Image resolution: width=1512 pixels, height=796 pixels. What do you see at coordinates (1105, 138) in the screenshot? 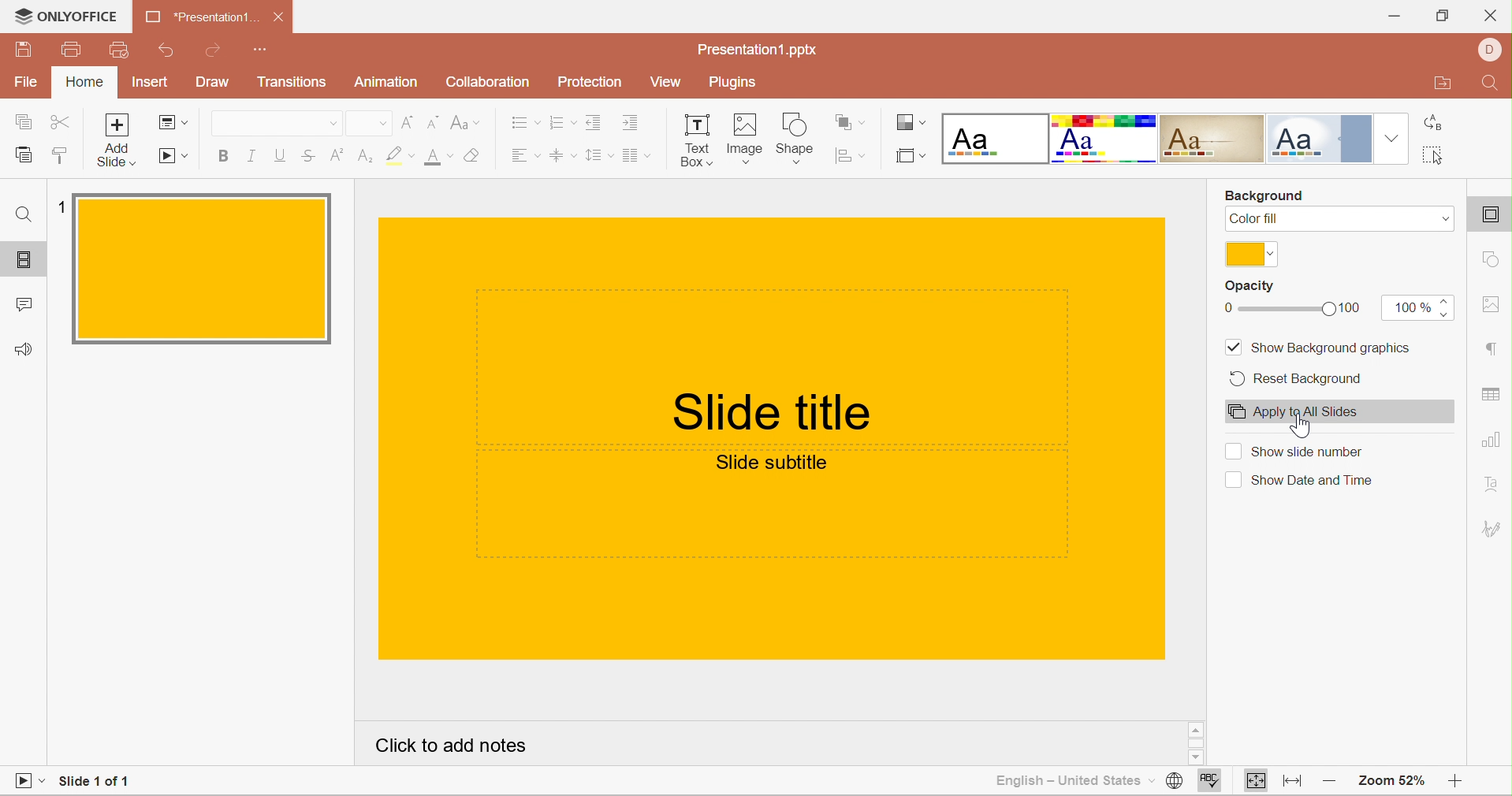
I see `Basic` at bounding box center [1105, 138].